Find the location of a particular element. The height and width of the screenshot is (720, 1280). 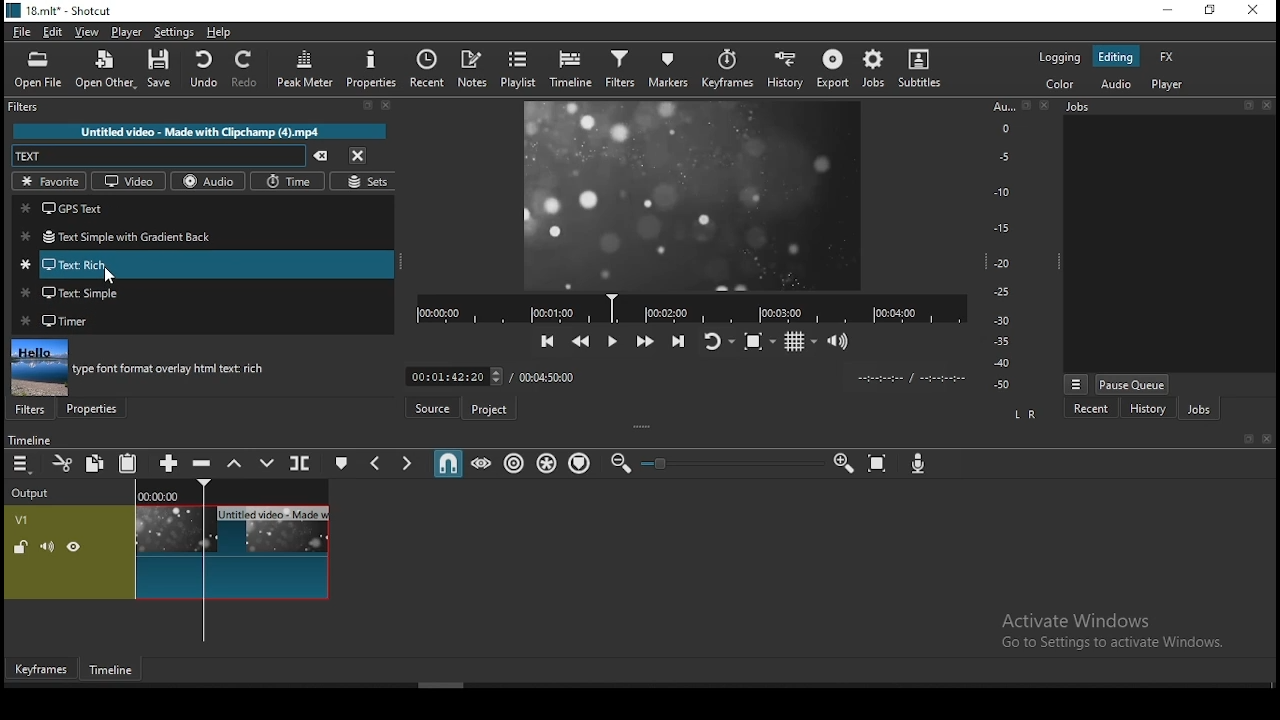

clear search is located at coordinates (320, 157).